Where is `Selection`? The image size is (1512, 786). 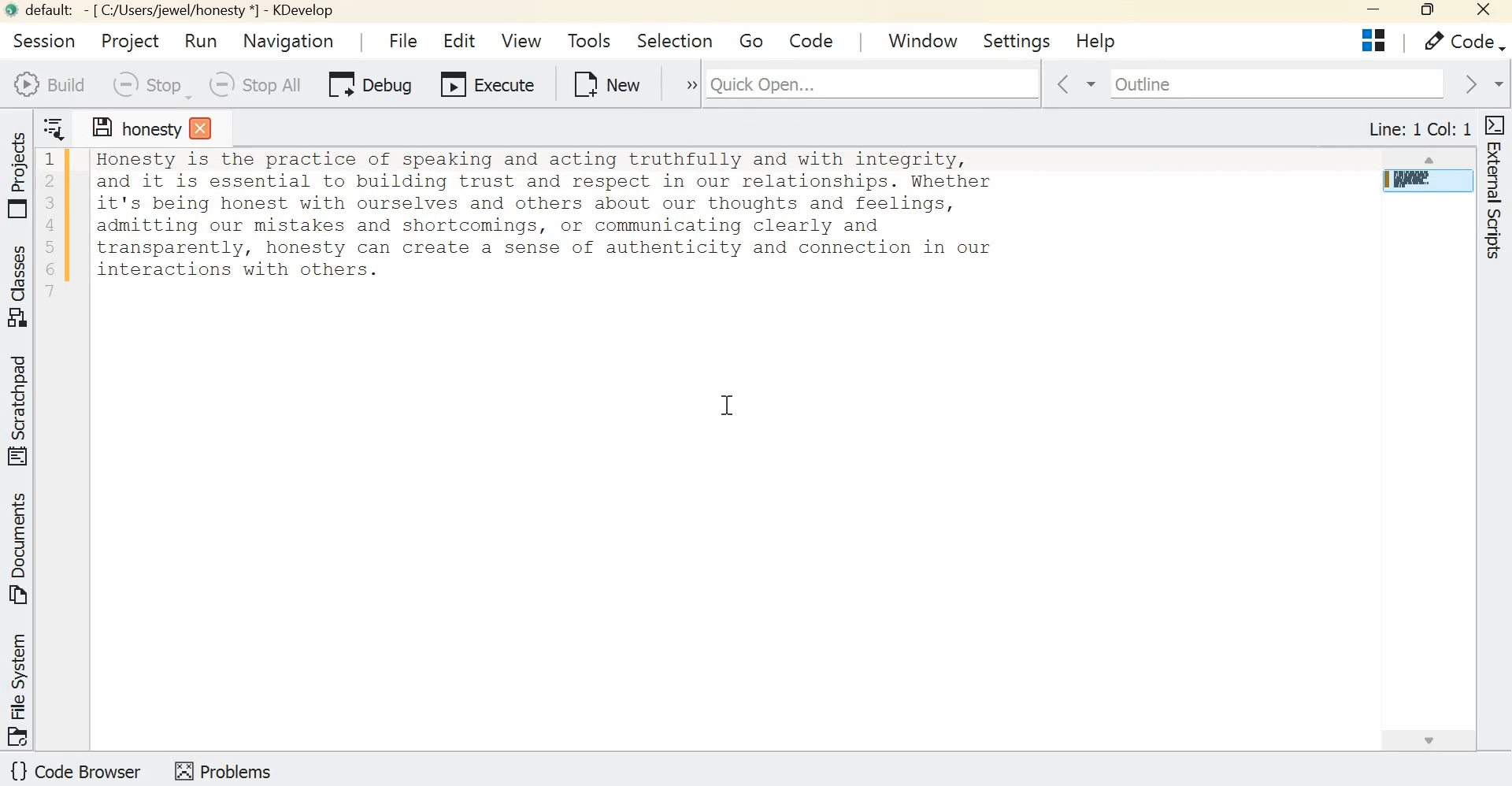 Selection is located at coordinates (677, 41).